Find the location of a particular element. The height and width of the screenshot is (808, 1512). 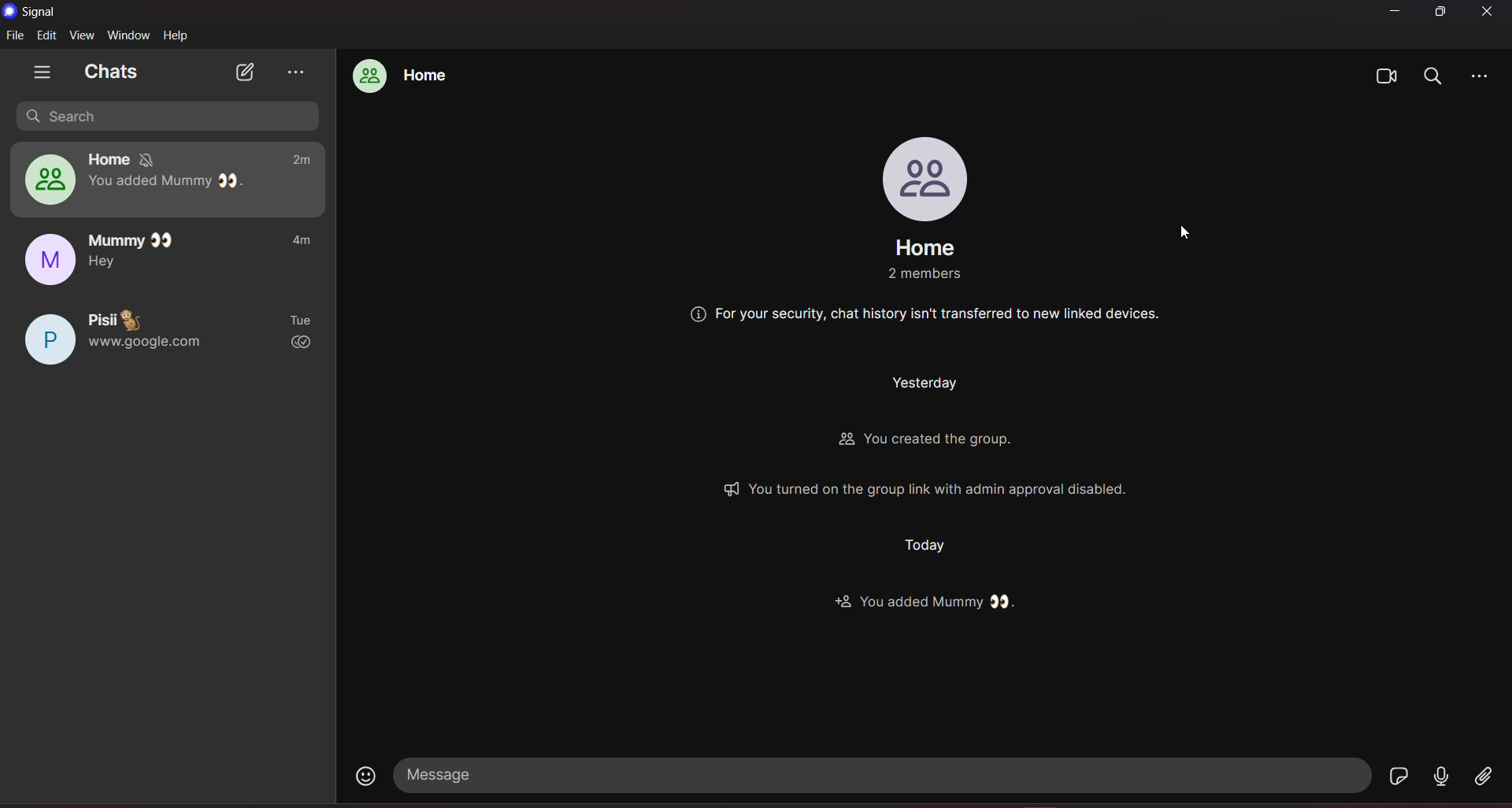

group name is located at coordinates (926, 247).